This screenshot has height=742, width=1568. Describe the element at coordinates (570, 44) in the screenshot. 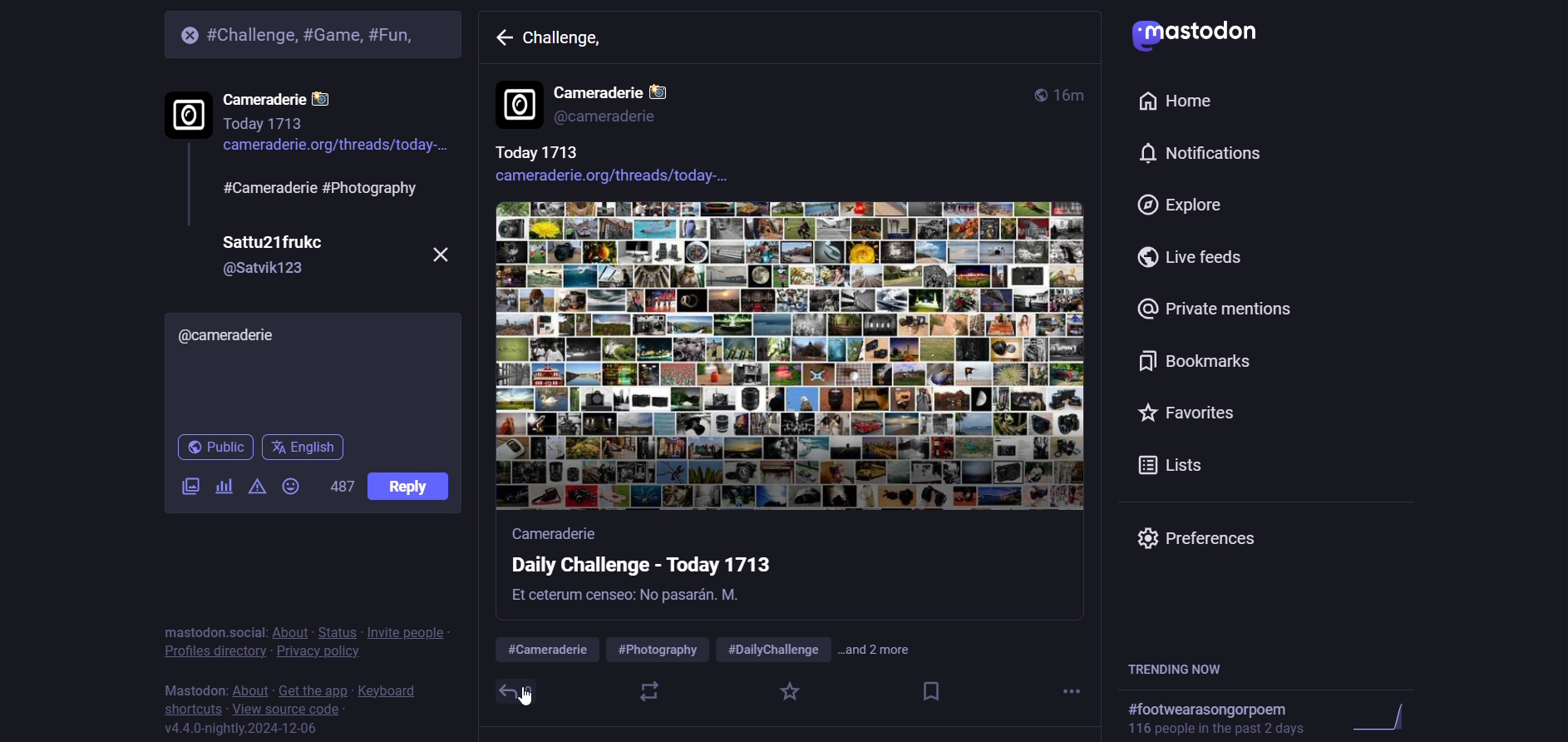

I see `challenge` at that location.